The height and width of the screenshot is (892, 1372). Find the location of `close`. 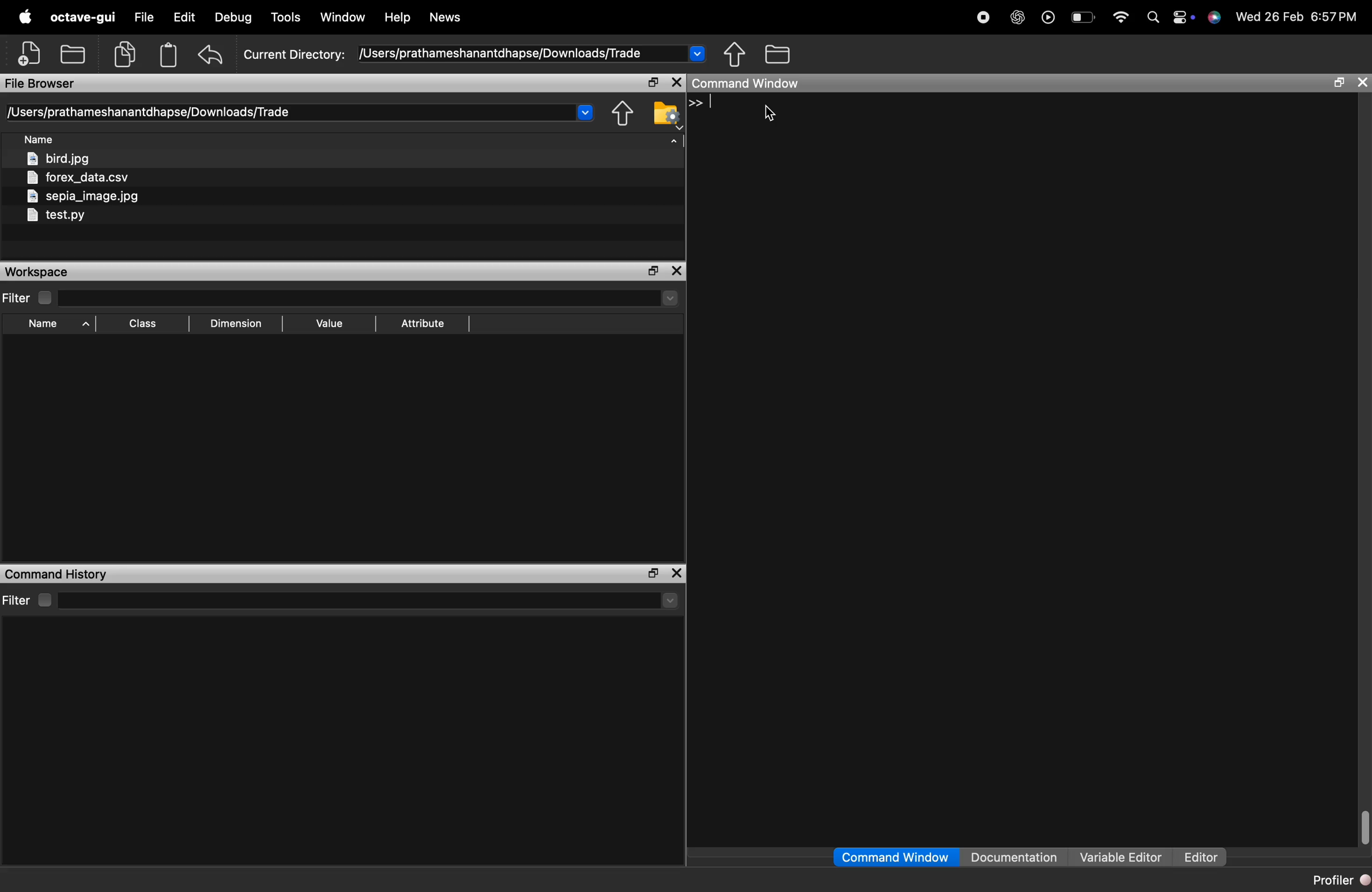

close is located at coordinates (677, 271).